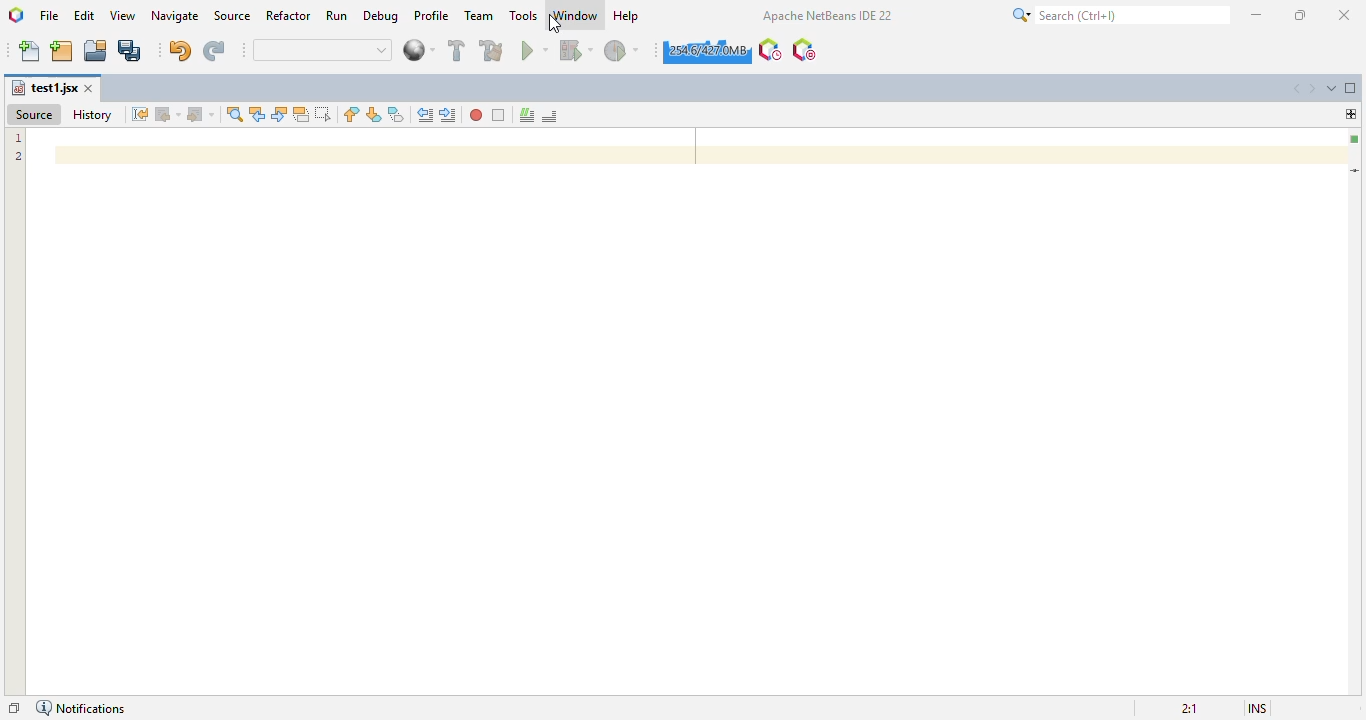 The width and height of the screenshot is (1366, 720). Describe the element at coordinates (576, 14) in the screenshot. I see `window` at that location.